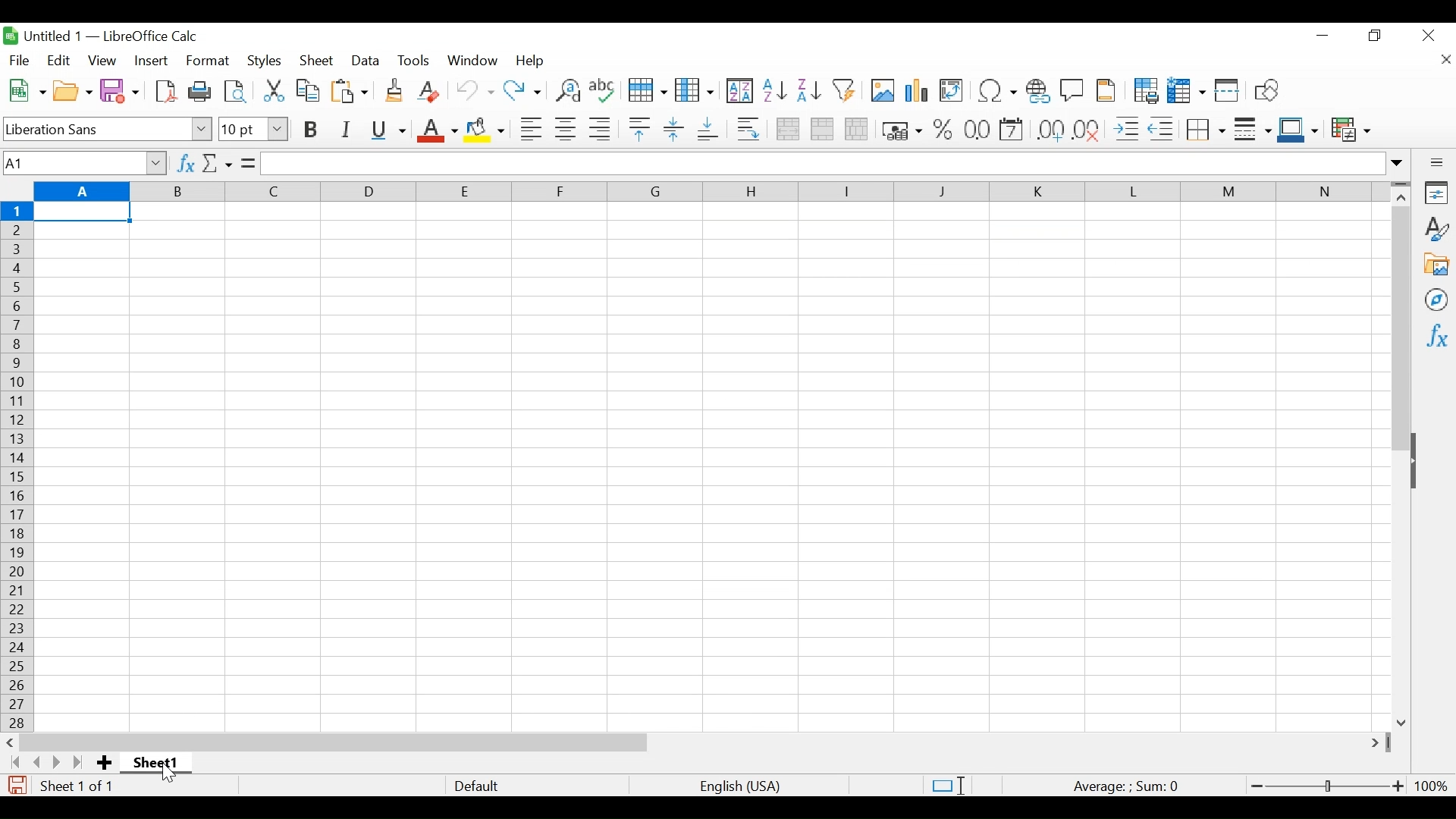  Describe the element at coordinates (1435, 335) in the screenshot. I see `Functions` at that location.